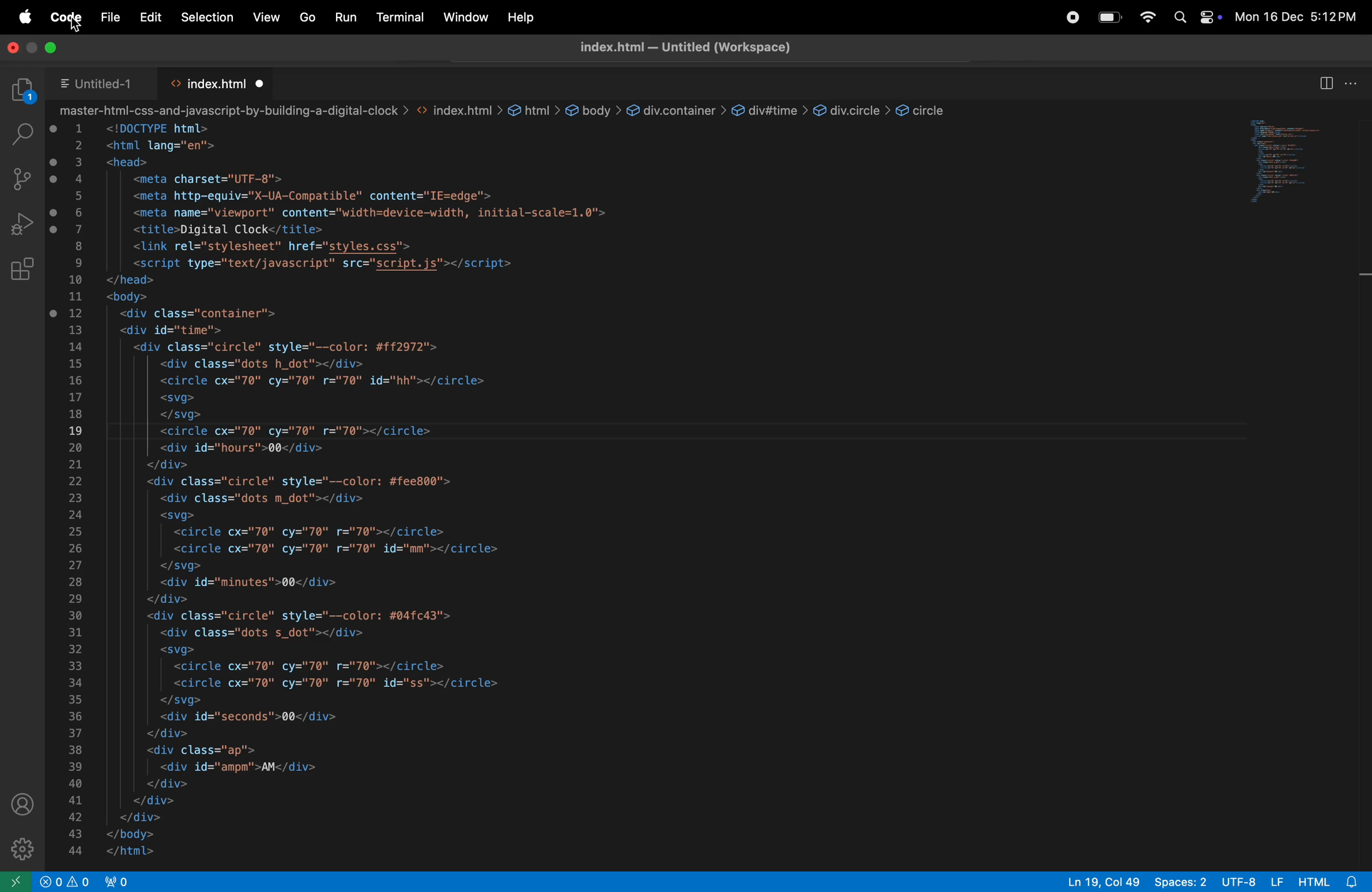 The image size is (1372, 892). Describe the element at coordinates (24, 179) in the screenshot. I see `source control` at that location.